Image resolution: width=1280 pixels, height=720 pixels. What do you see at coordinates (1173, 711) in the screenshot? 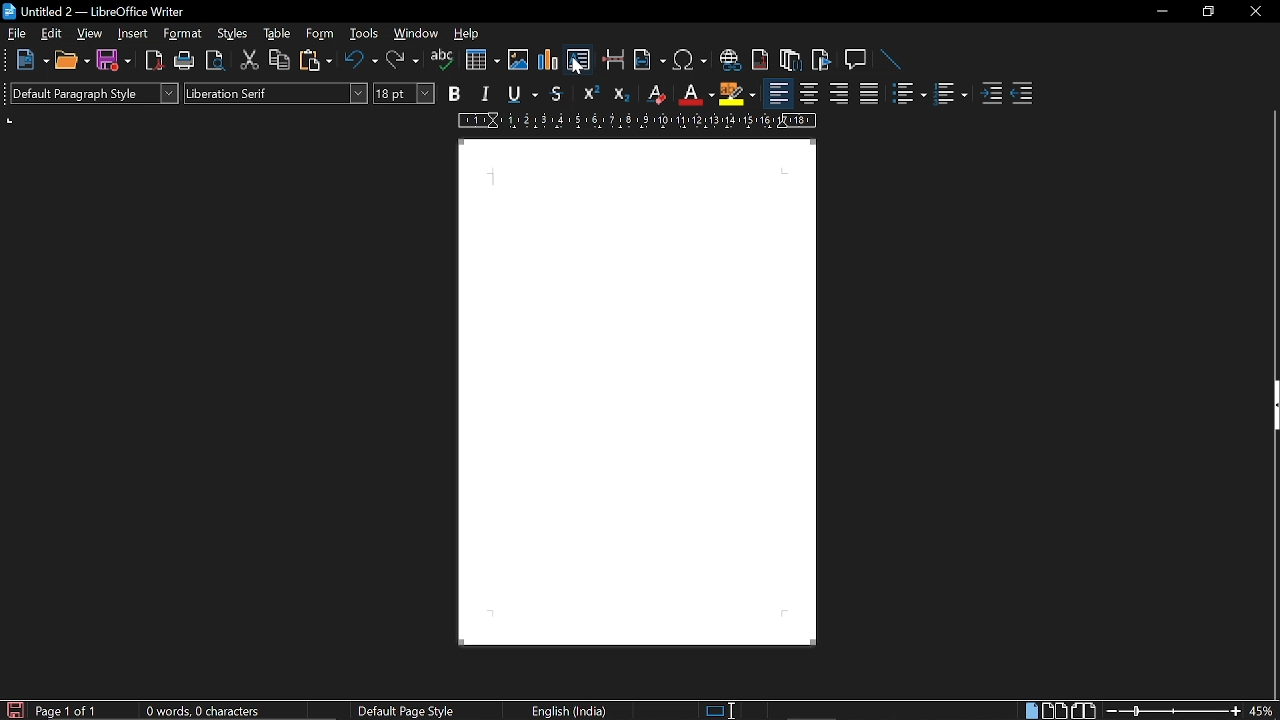
I see `change zoom` at bounding box center [1173, 711].